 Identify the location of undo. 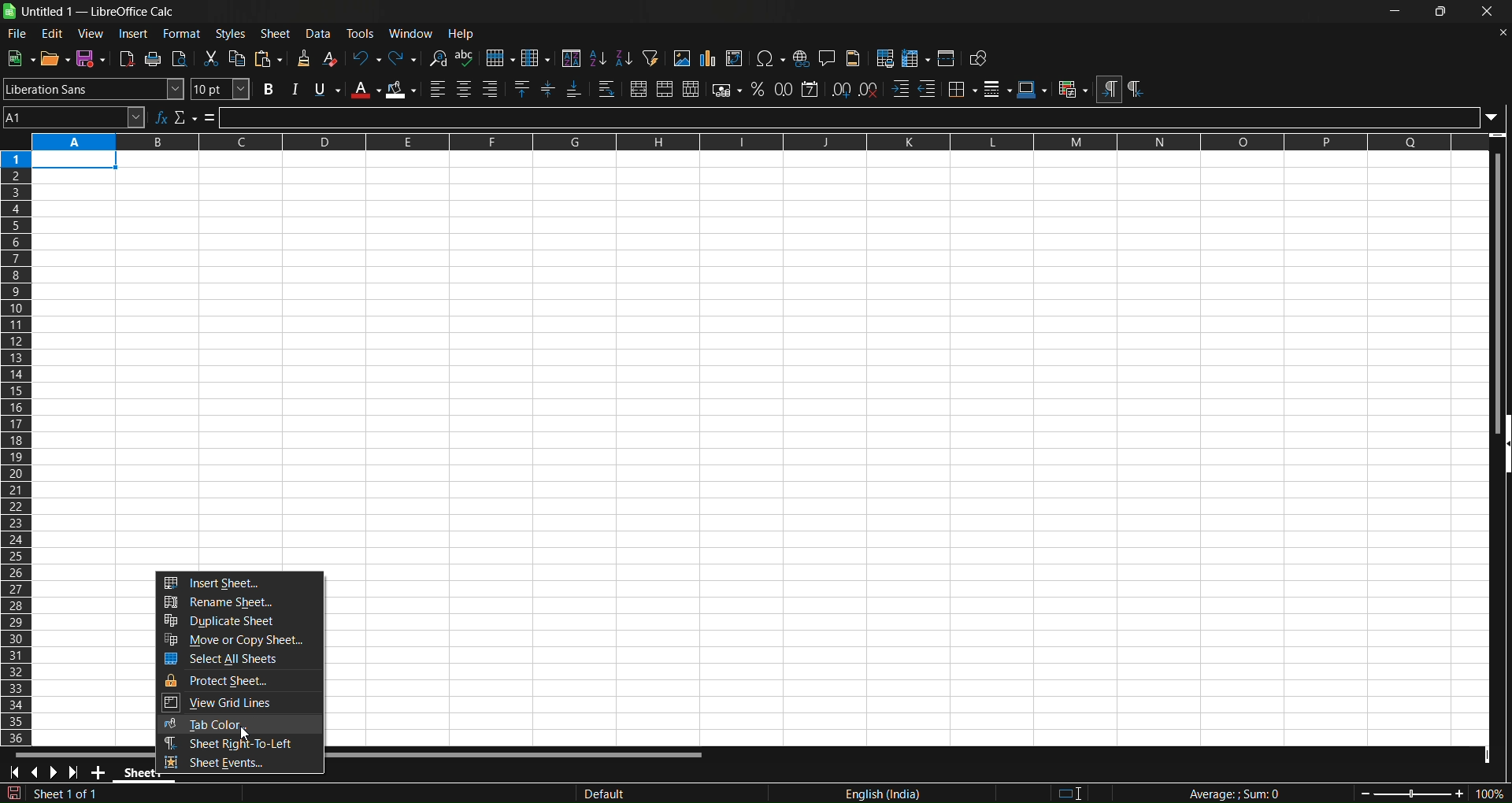
(365, 57).